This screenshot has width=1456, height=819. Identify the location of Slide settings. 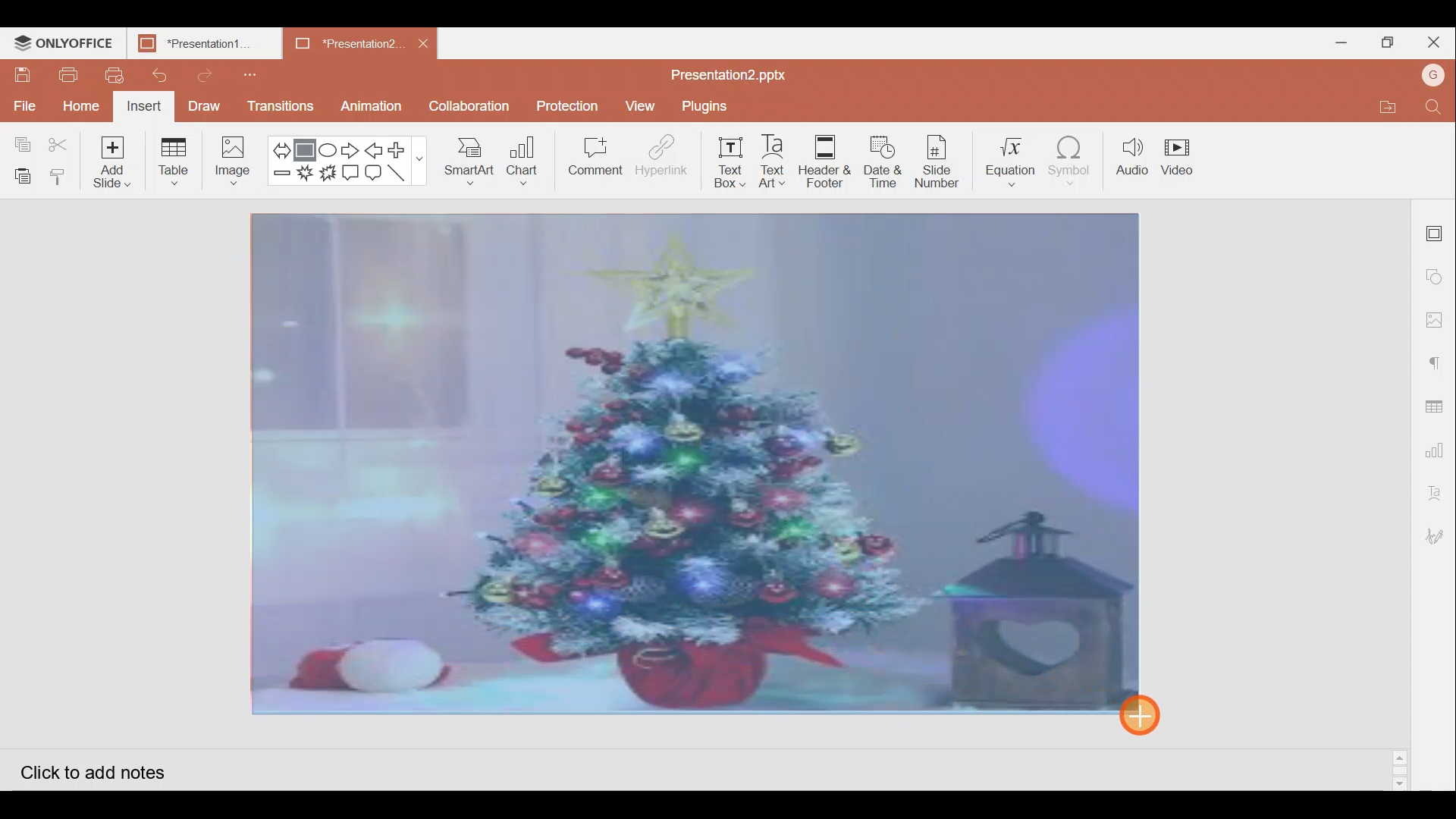
(1437, 229).